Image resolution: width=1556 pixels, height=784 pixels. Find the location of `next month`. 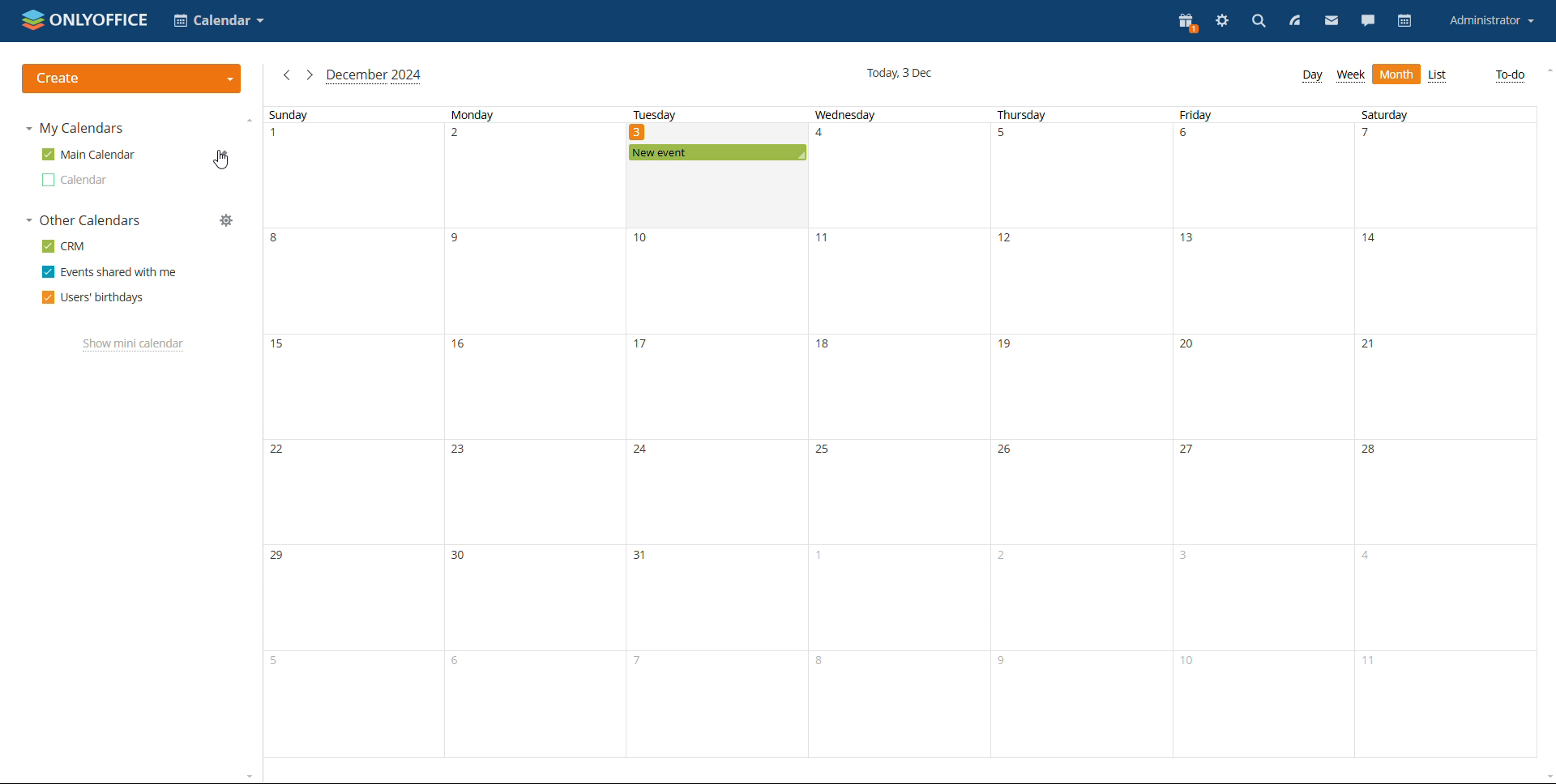

next month is located at coordinates (309, 75).